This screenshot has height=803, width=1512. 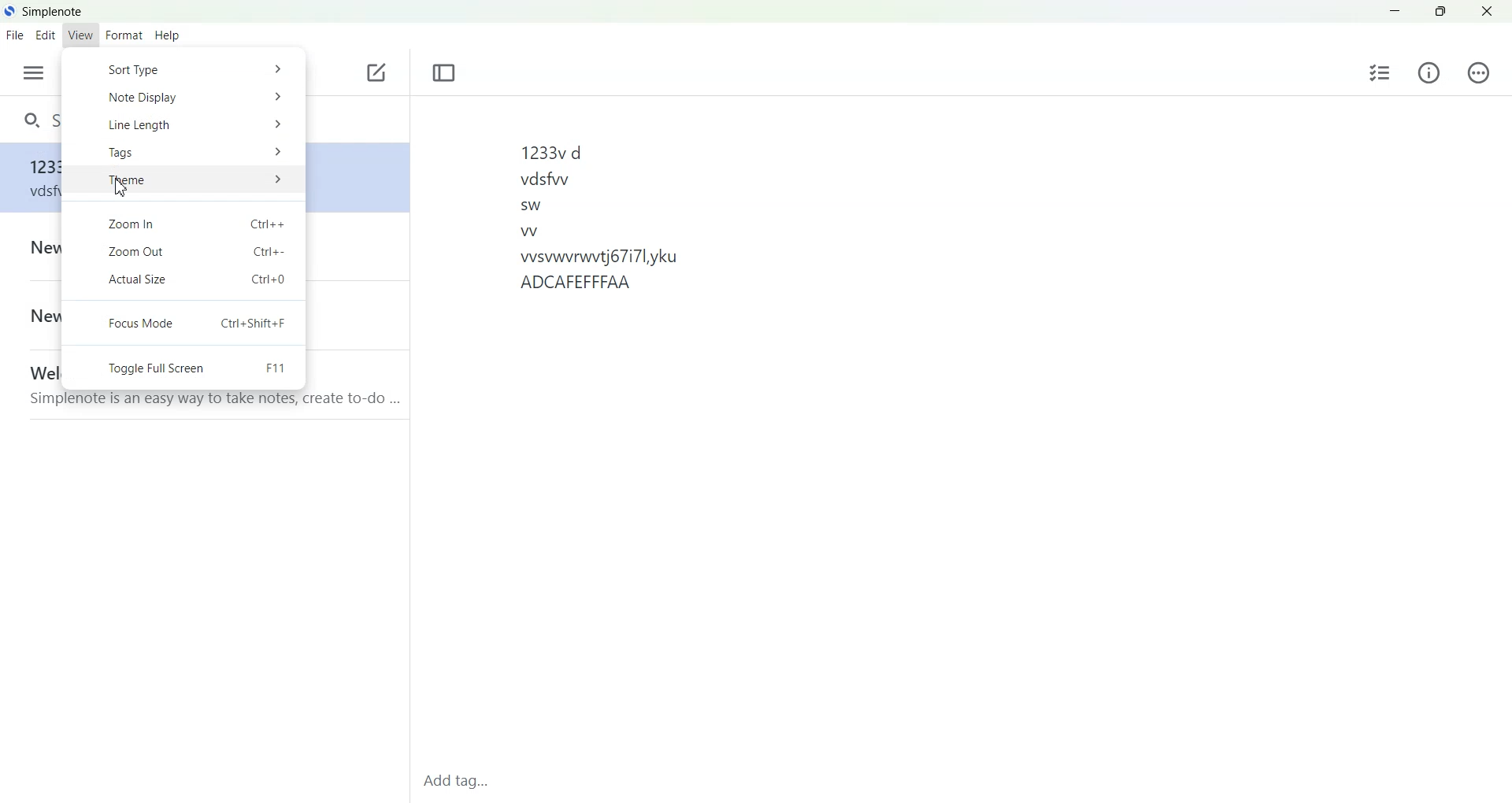 I want to click on Info, so click(x=1429, y=72).